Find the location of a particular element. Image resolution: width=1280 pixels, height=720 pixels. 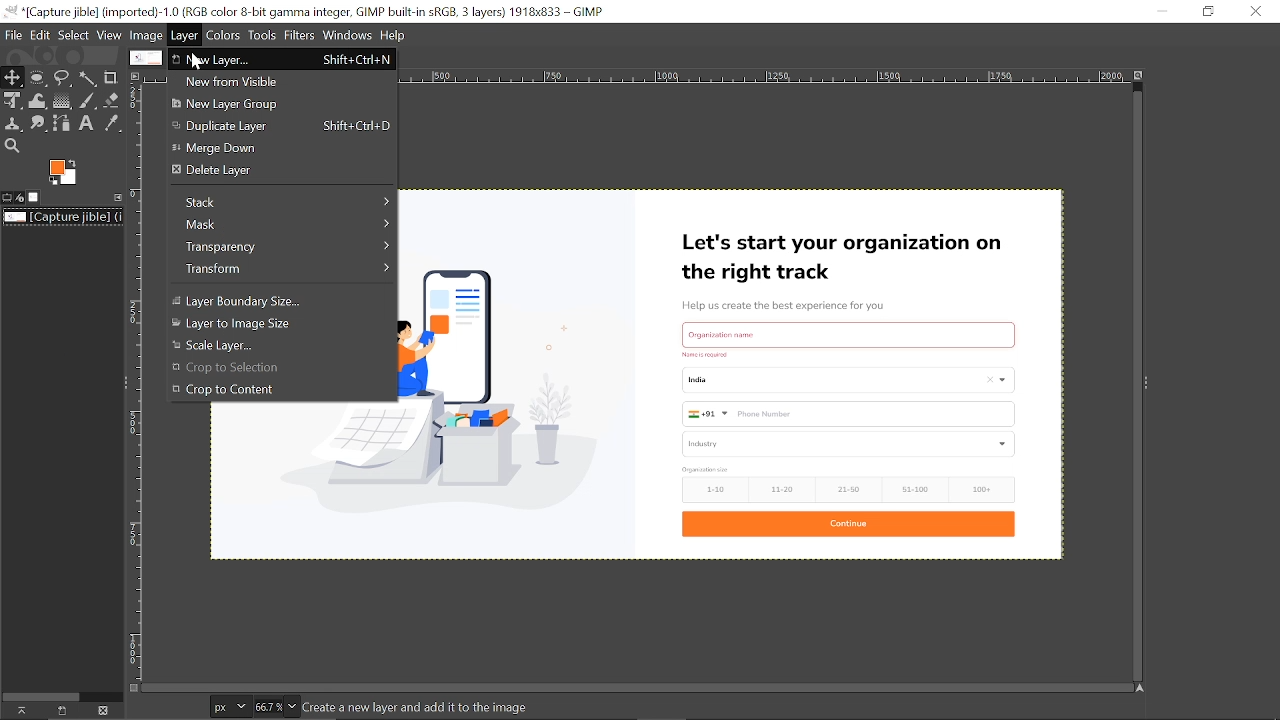

Close tab is located at coordinates (174, 57).